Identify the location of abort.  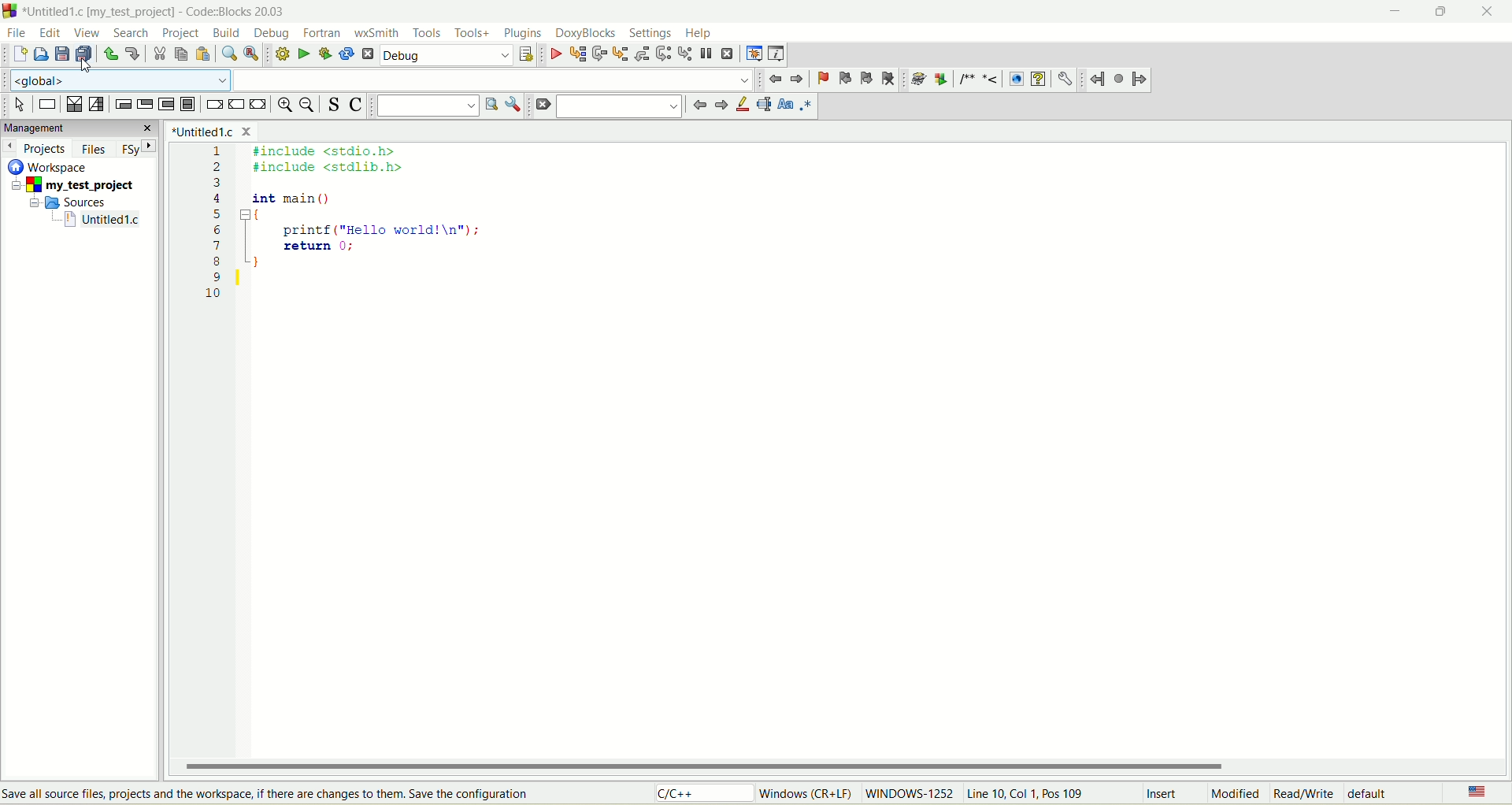
(367, 54).